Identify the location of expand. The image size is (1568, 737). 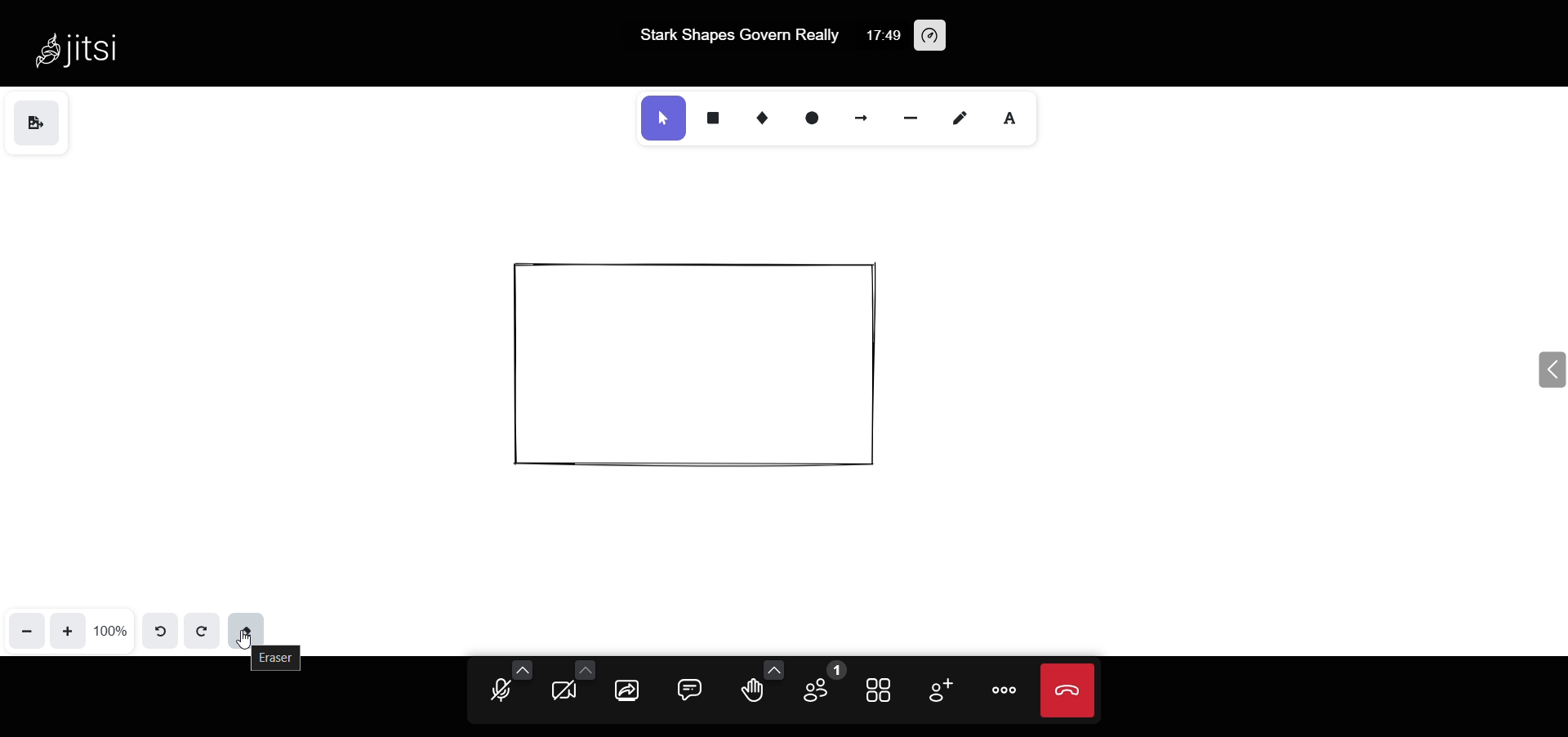
(1547, 371).